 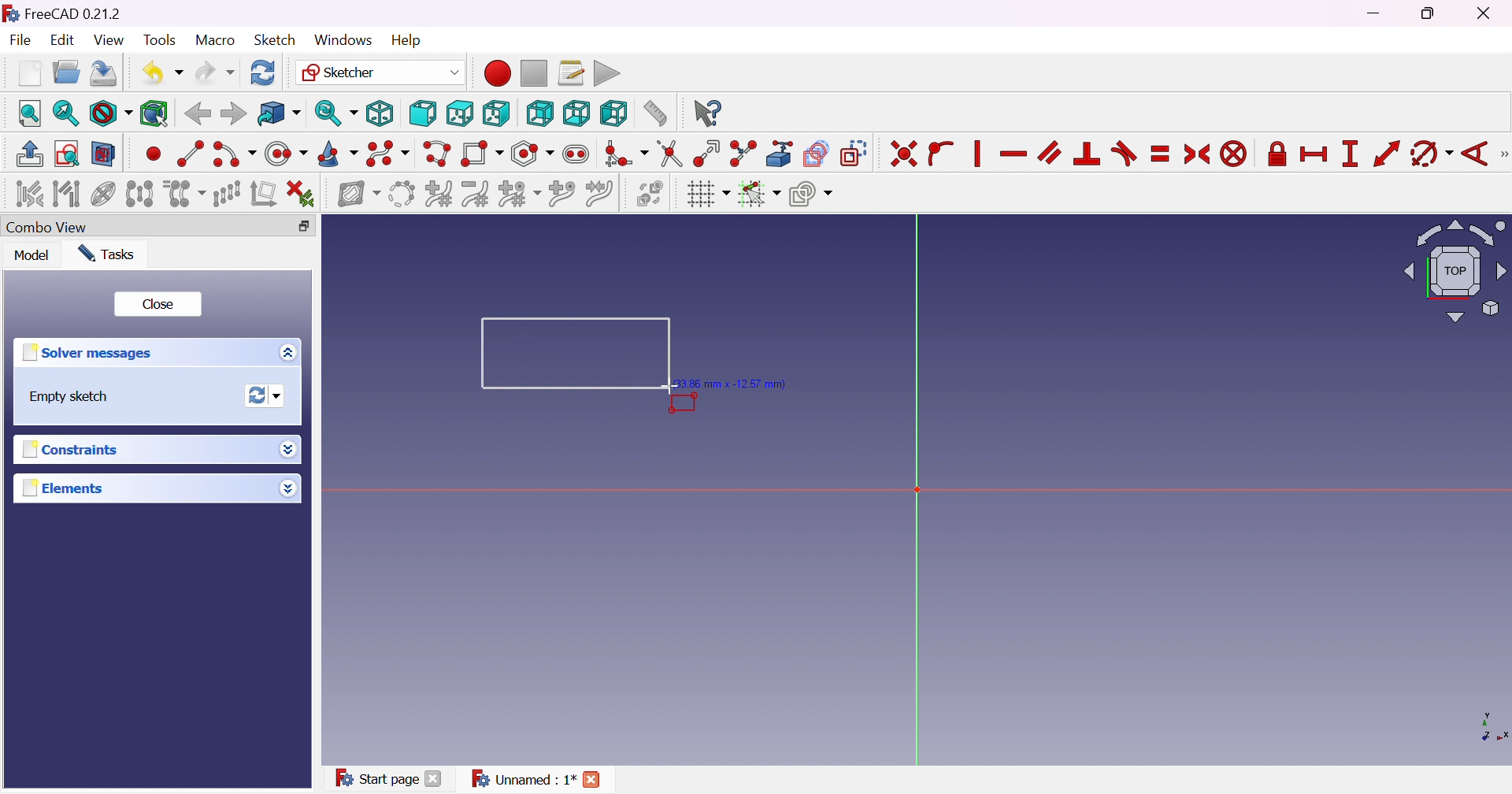 What do you see at coordinates (92, 352) in the screenshot?
I see `Solver messages` at bounding box center [92, 352].